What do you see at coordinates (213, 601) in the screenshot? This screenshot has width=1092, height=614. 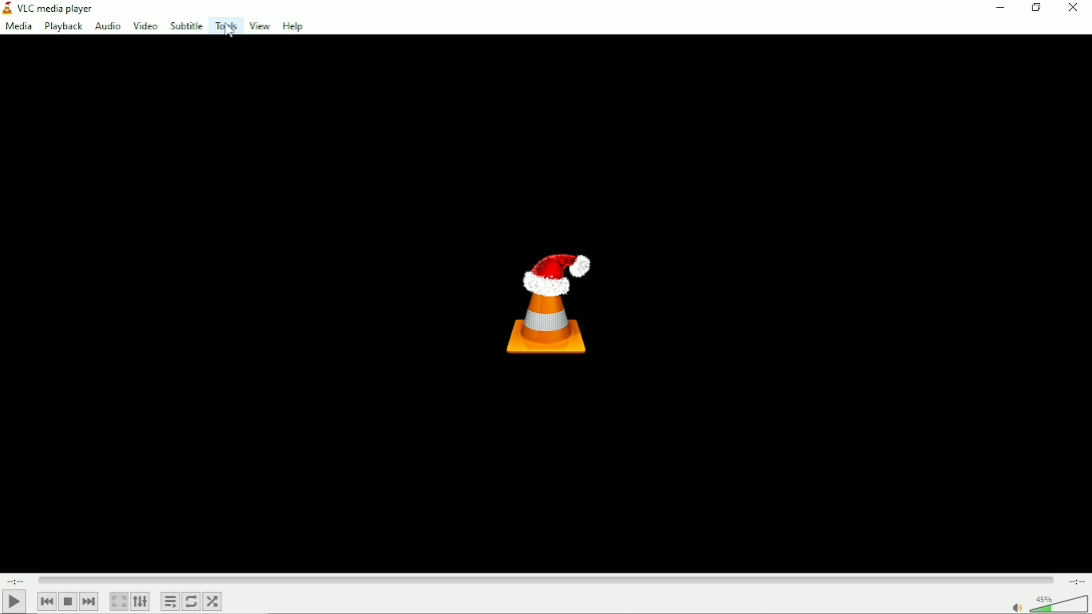 I see `Random` at bounding box center [213, 601].